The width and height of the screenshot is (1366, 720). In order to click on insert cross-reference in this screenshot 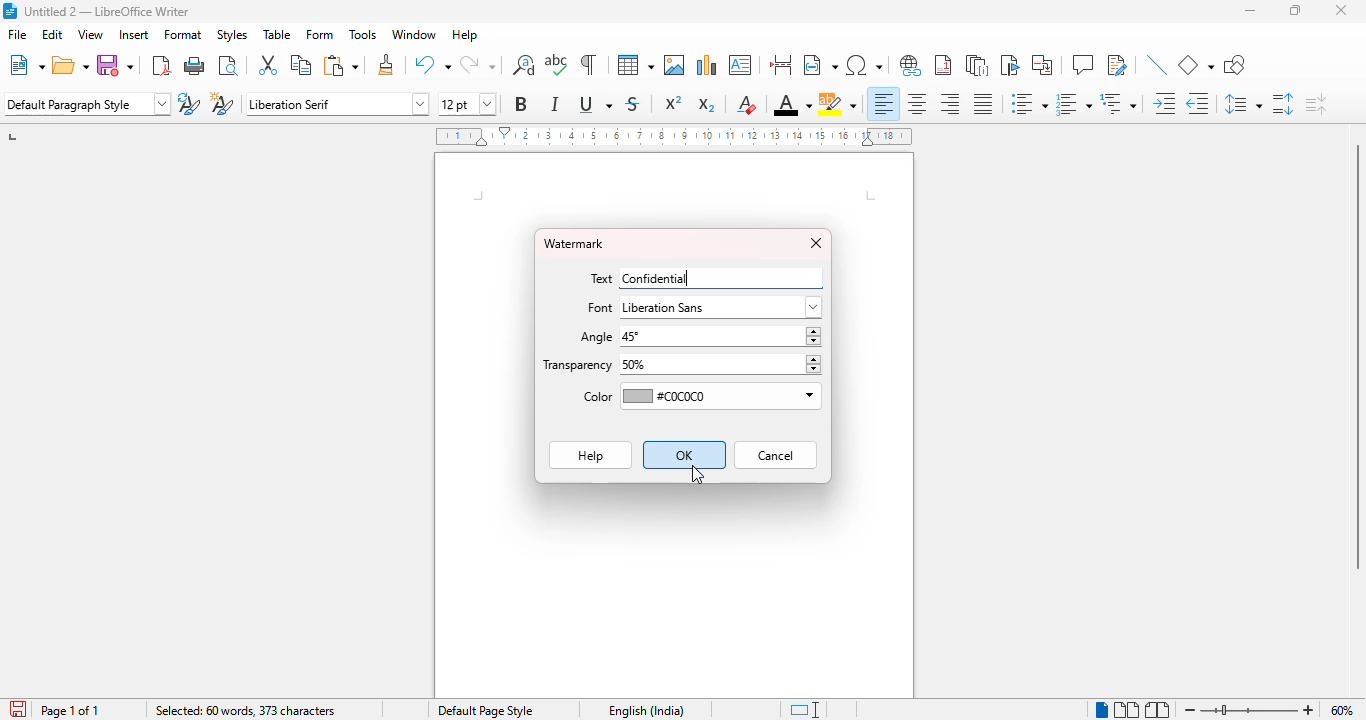, I will do `click(1041, 65)`.